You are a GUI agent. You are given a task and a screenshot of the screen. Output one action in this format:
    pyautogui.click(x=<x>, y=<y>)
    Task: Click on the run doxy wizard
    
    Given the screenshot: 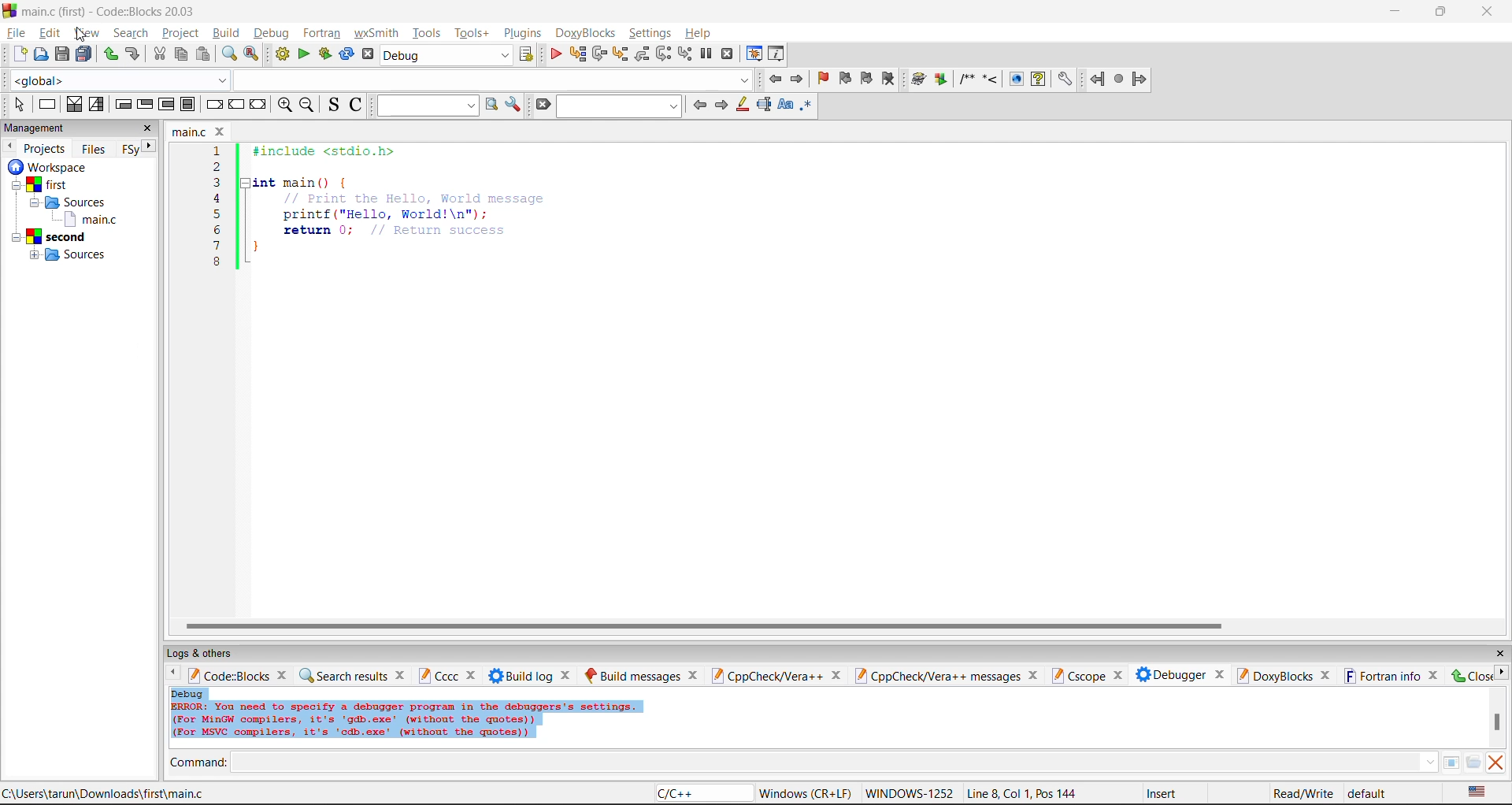 What is the action you would take?
    pyautogui.click(x=918, y=78)
    